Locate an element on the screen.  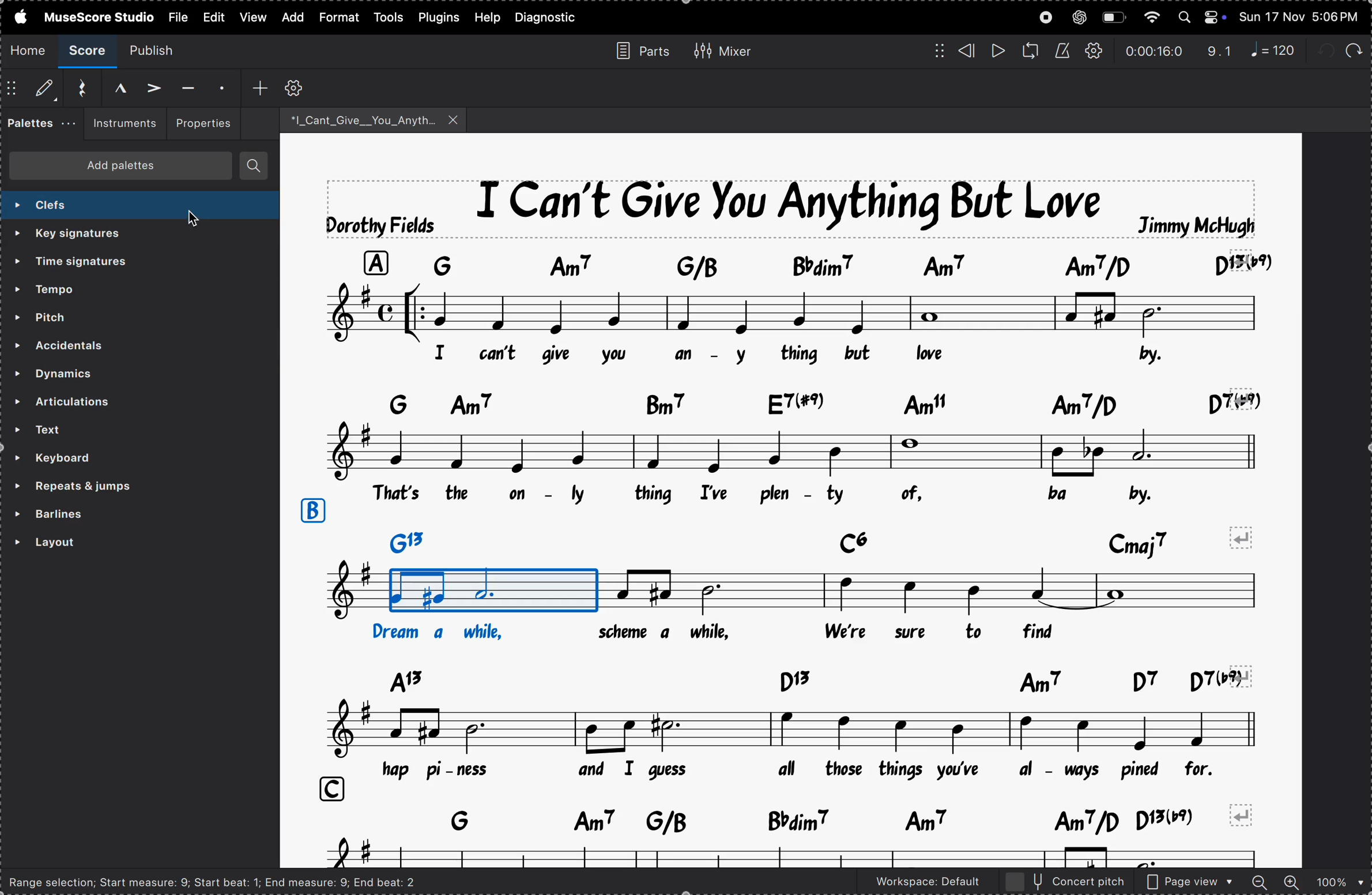
add paletes is located at coordinates (120, 166).